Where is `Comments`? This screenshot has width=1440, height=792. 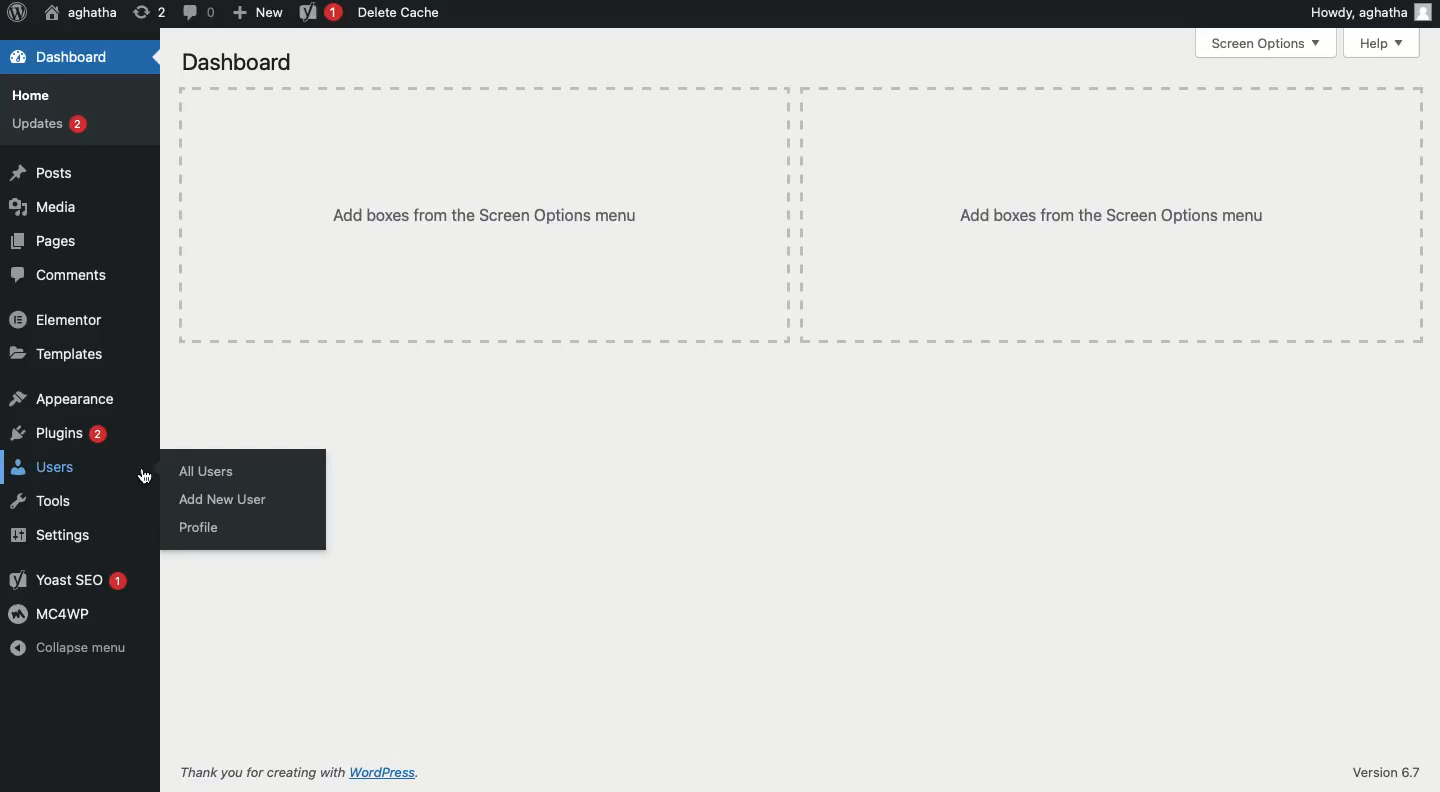
Comments is located at coordinates (58, 276).